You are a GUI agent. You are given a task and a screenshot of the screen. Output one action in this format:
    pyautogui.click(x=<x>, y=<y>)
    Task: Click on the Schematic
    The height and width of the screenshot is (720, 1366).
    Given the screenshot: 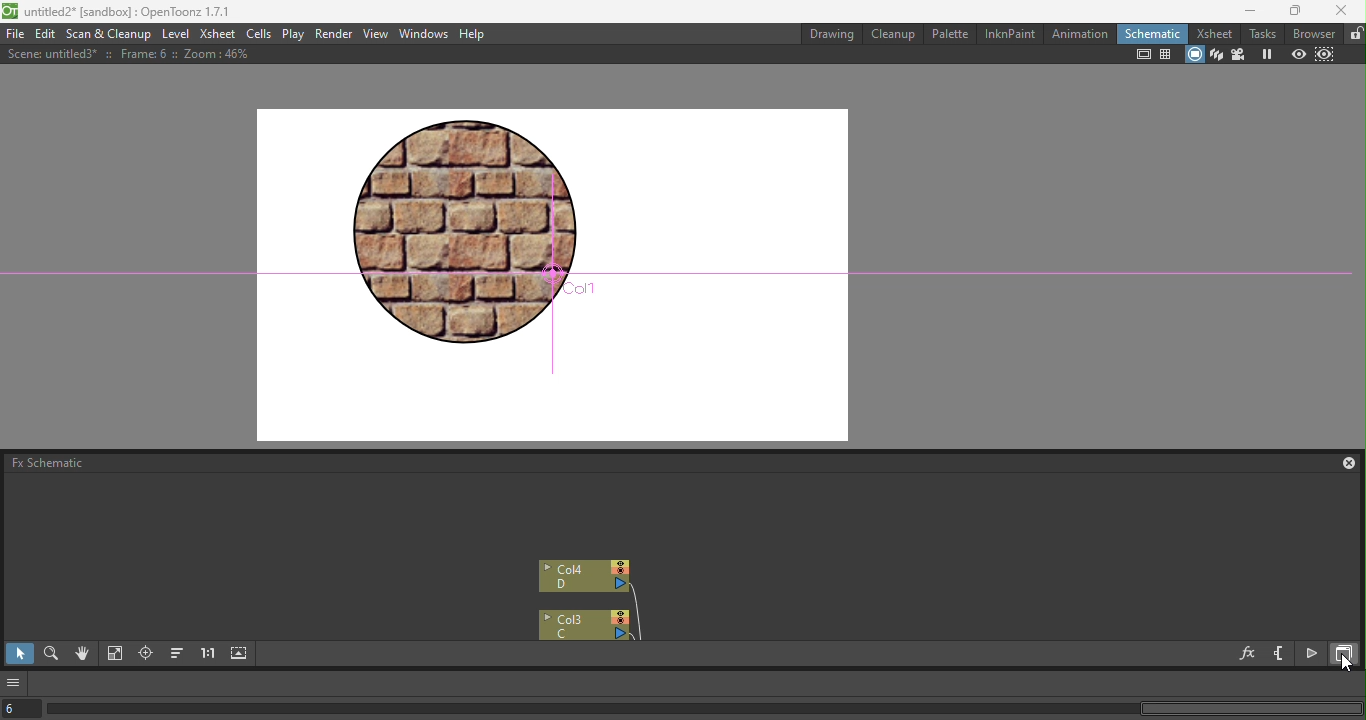 What is the action you would take?
    pyautogui.click(x=1152, y=34)
    